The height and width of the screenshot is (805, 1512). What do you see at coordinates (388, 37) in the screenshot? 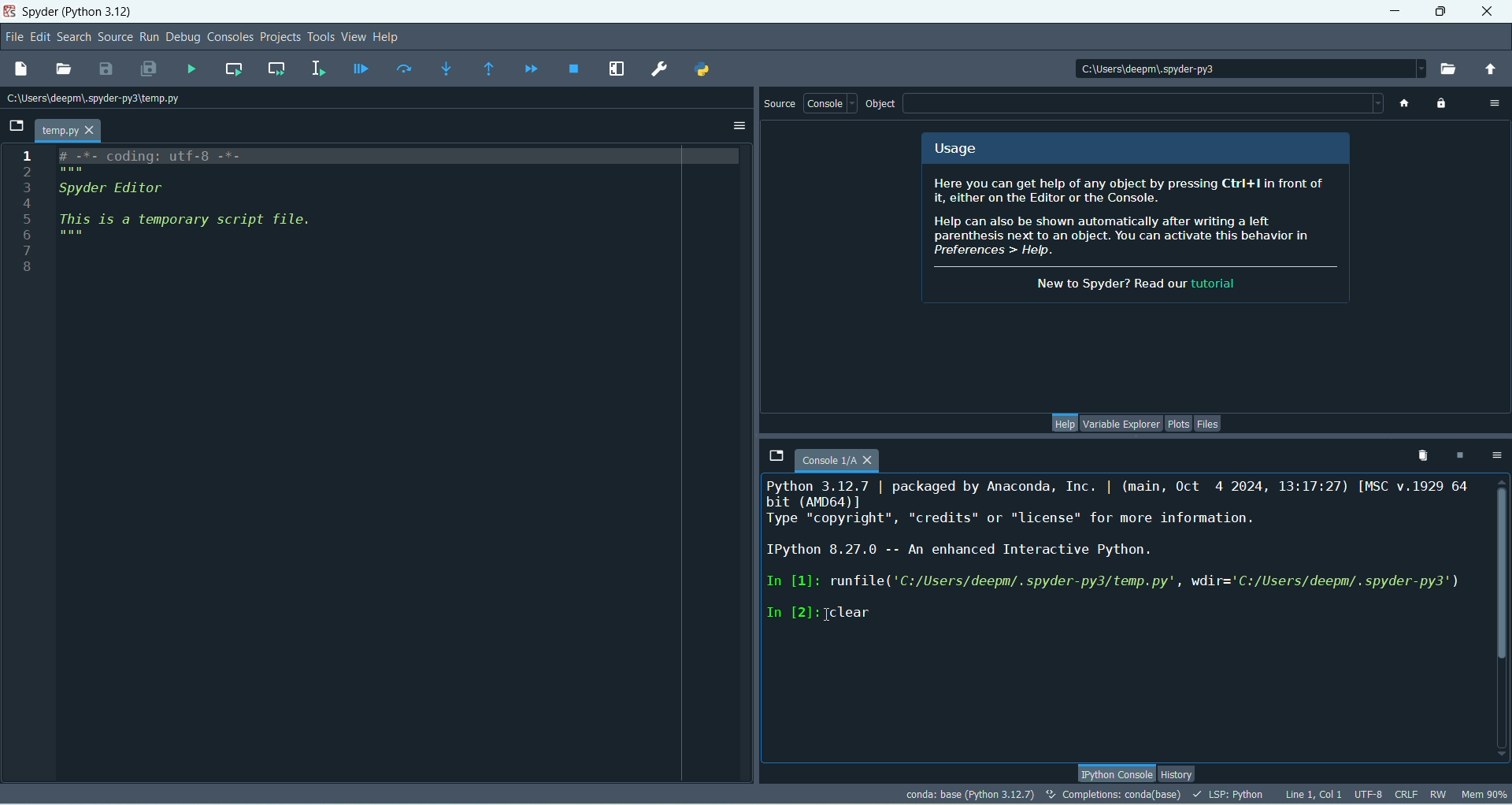
I see `help` at bounding box center [388, 37].